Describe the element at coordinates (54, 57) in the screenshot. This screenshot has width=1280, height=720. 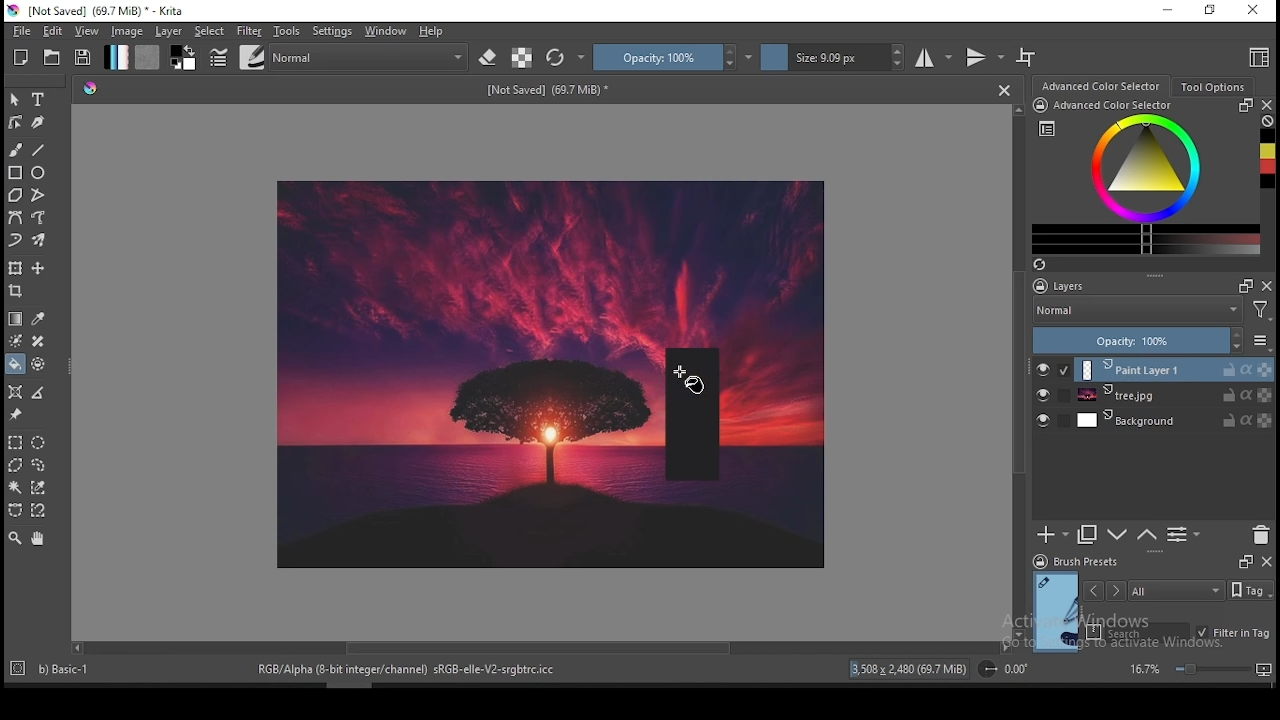
I see `open` at that location.